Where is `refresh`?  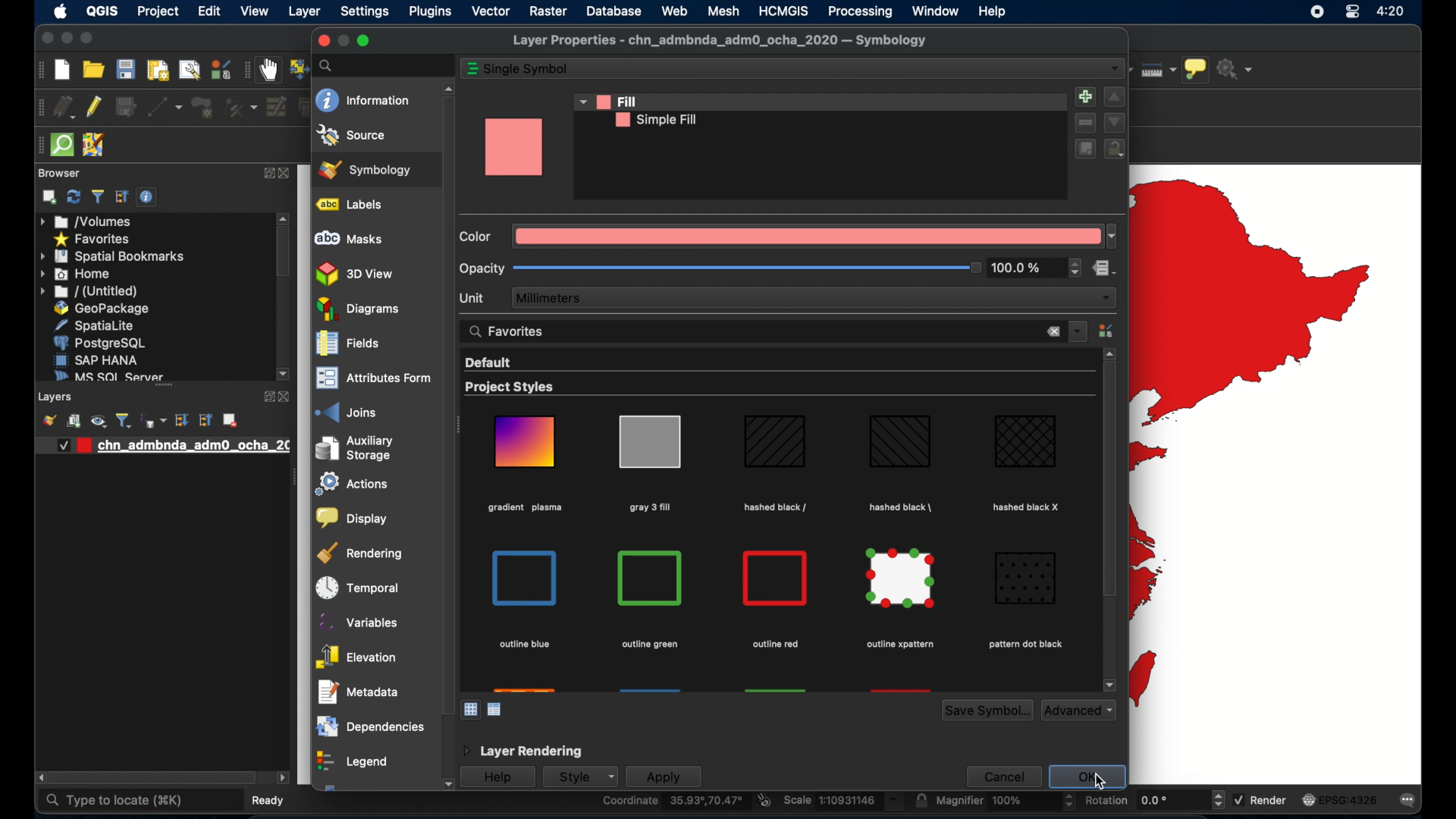 refresh is located at coordinates (74, 196).